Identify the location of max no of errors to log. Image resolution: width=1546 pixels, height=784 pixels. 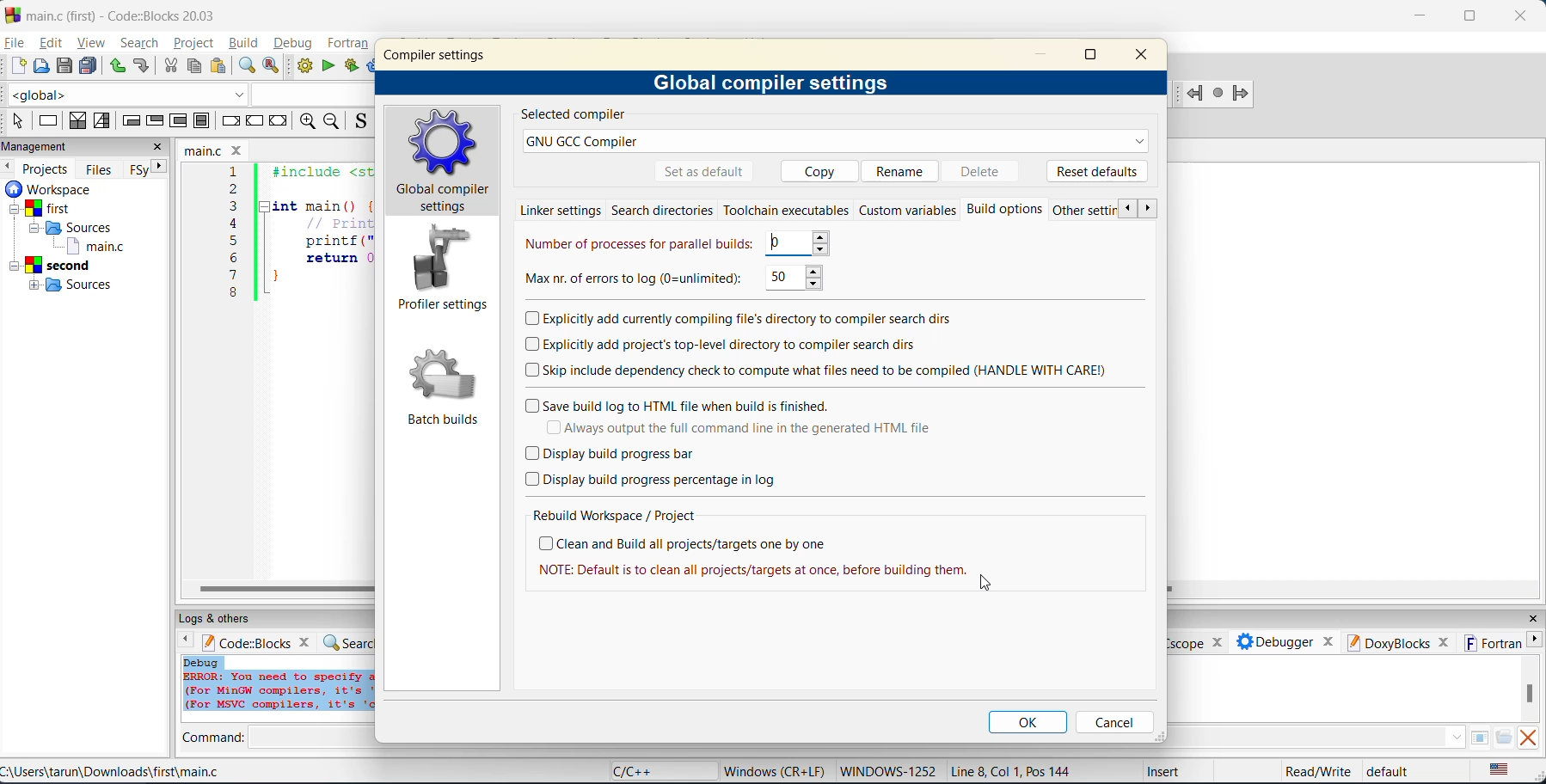
(678, 279).